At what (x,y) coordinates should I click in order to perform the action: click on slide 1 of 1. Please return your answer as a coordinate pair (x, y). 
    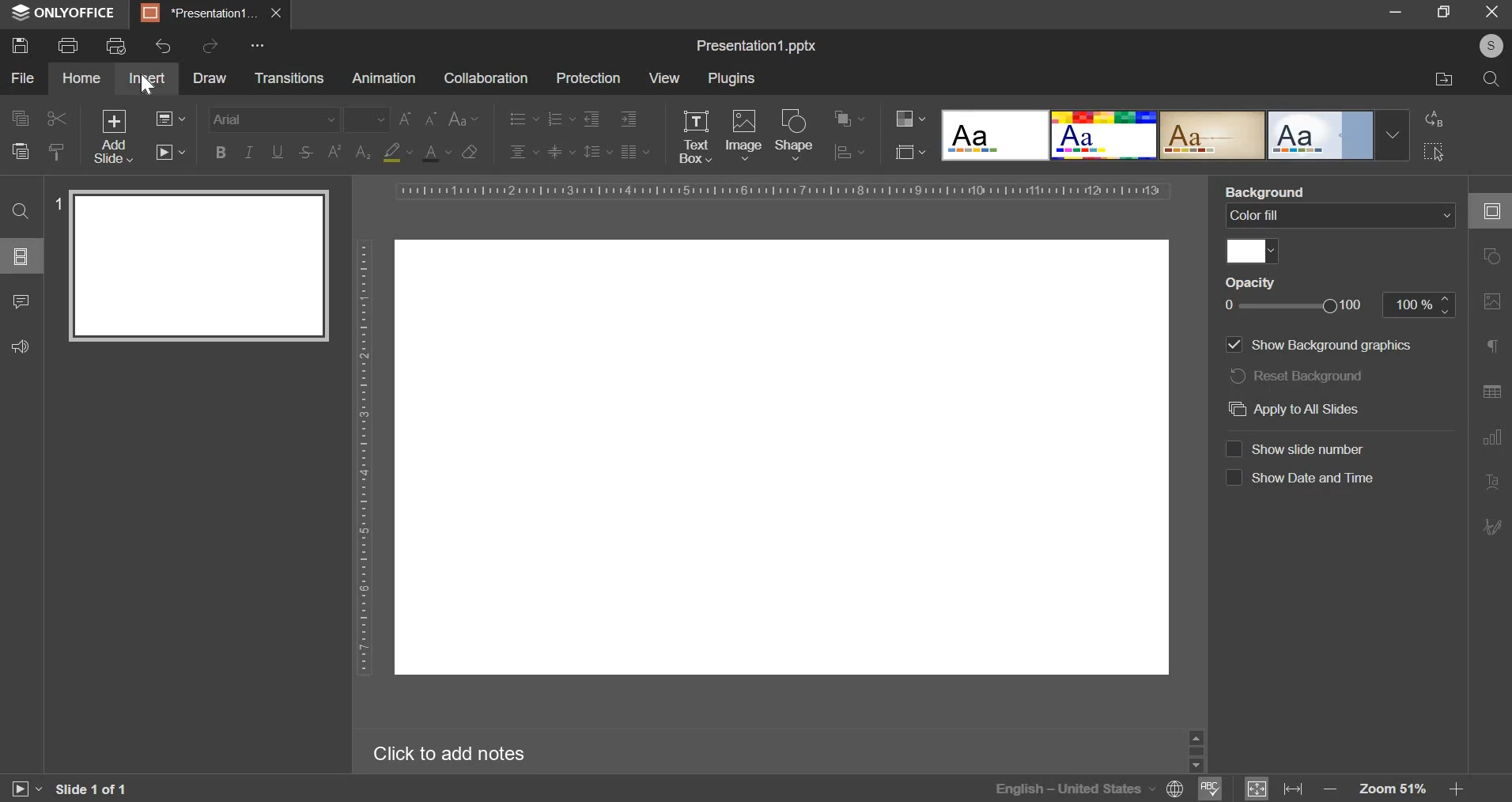
    Looking at the image, I should click on (93, 791).